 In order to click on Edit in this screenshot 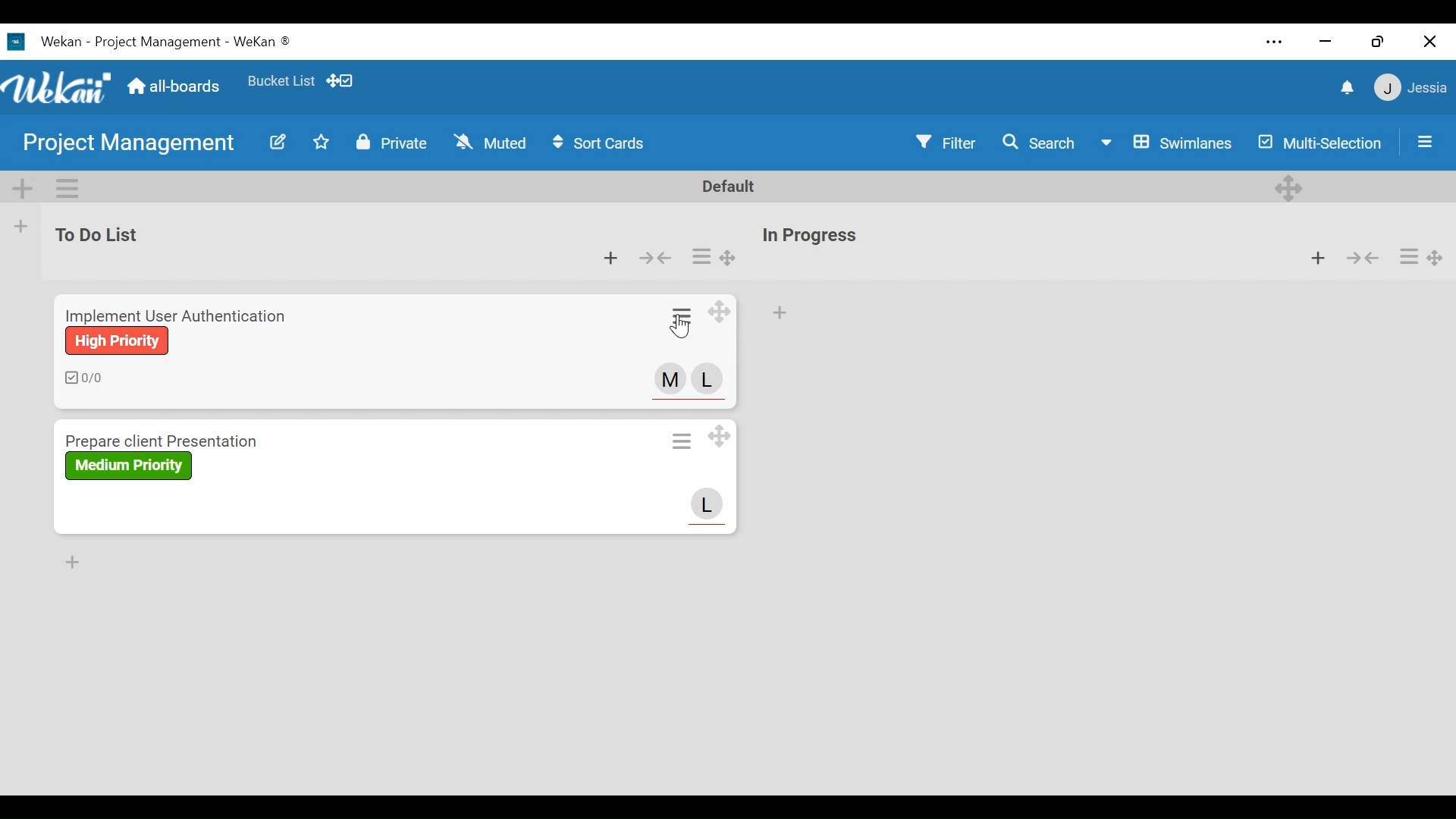, I will do `click(278, 142)`.